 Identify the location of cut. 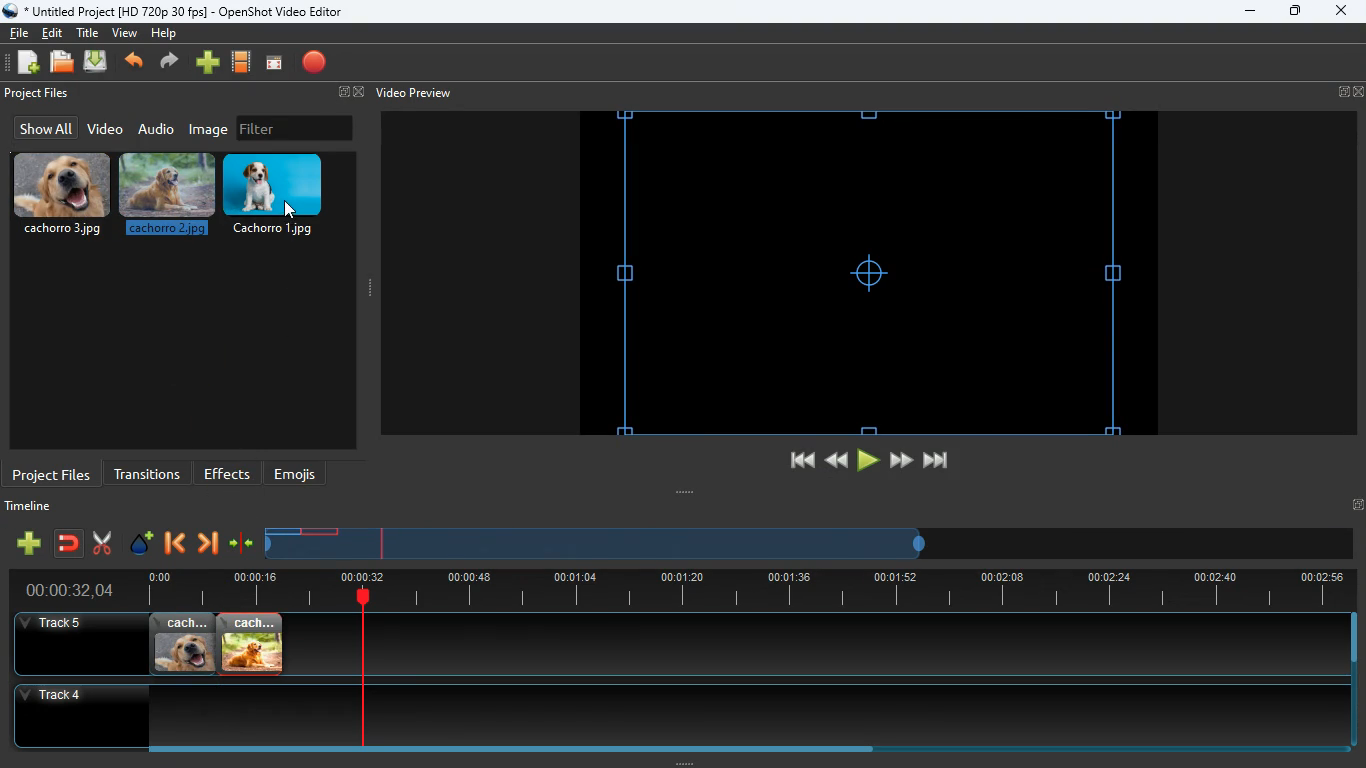
(102, 543).